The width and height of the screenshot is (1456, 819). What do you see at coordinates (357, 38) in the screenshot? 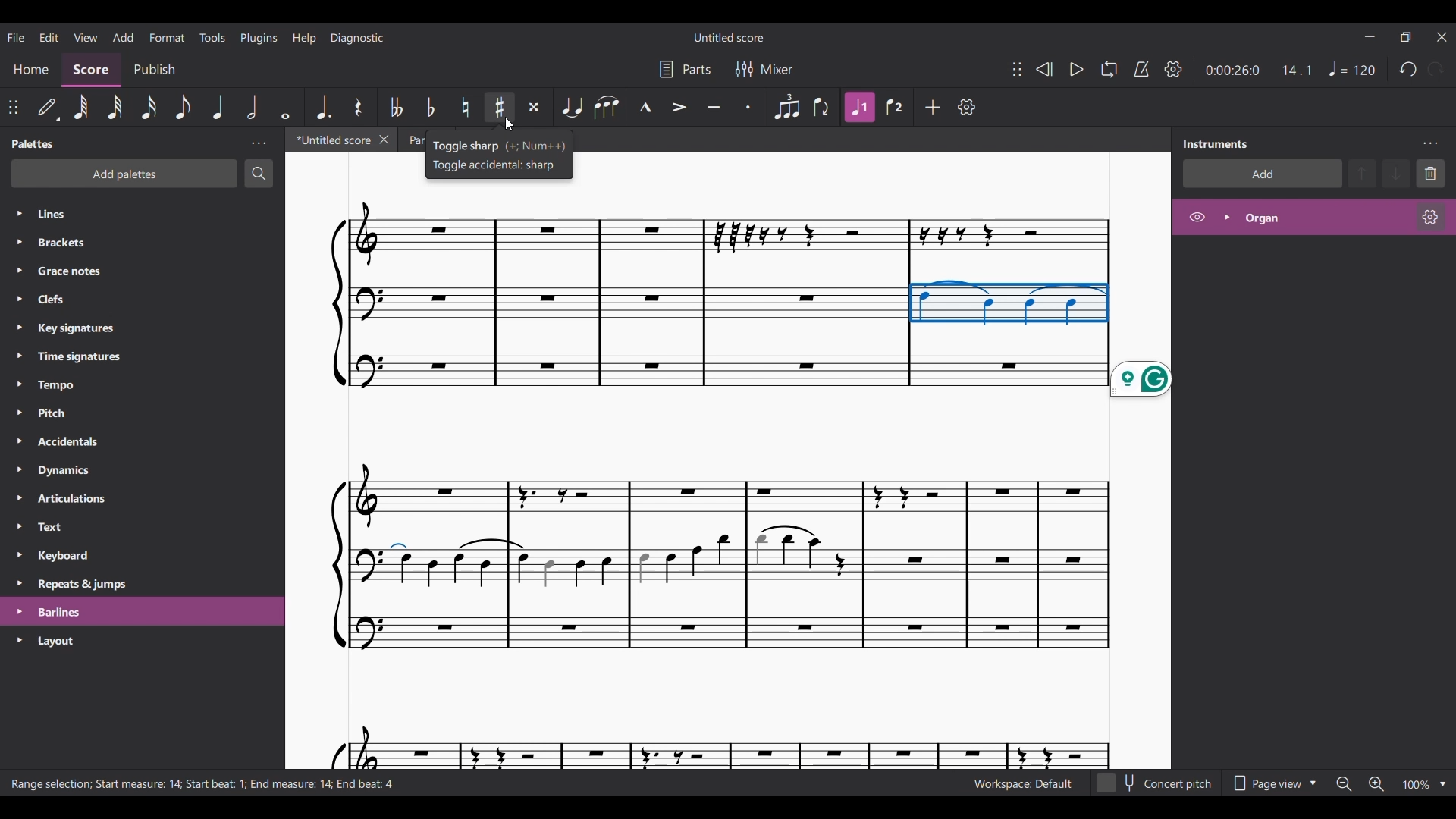
I see `Diagnostic menu` at bounding box center [357, 38].